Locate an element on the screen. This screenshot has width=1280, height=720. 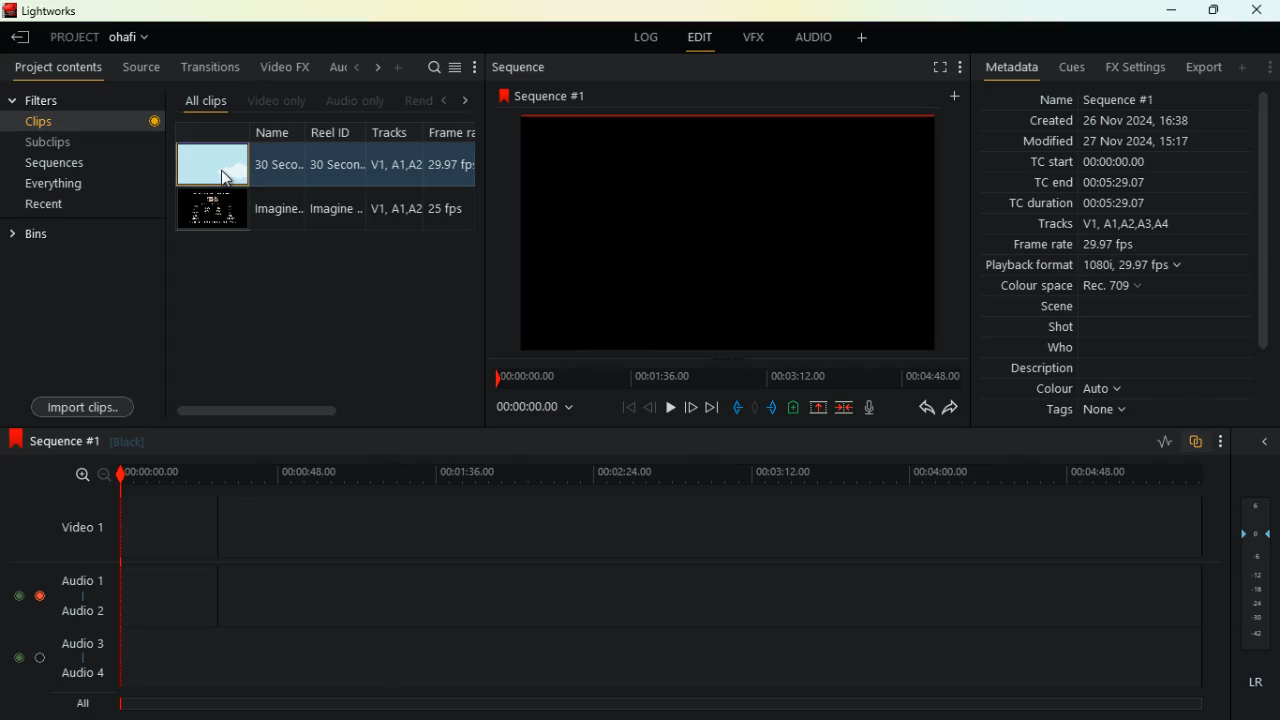
all is located at coordinates (86, 706).